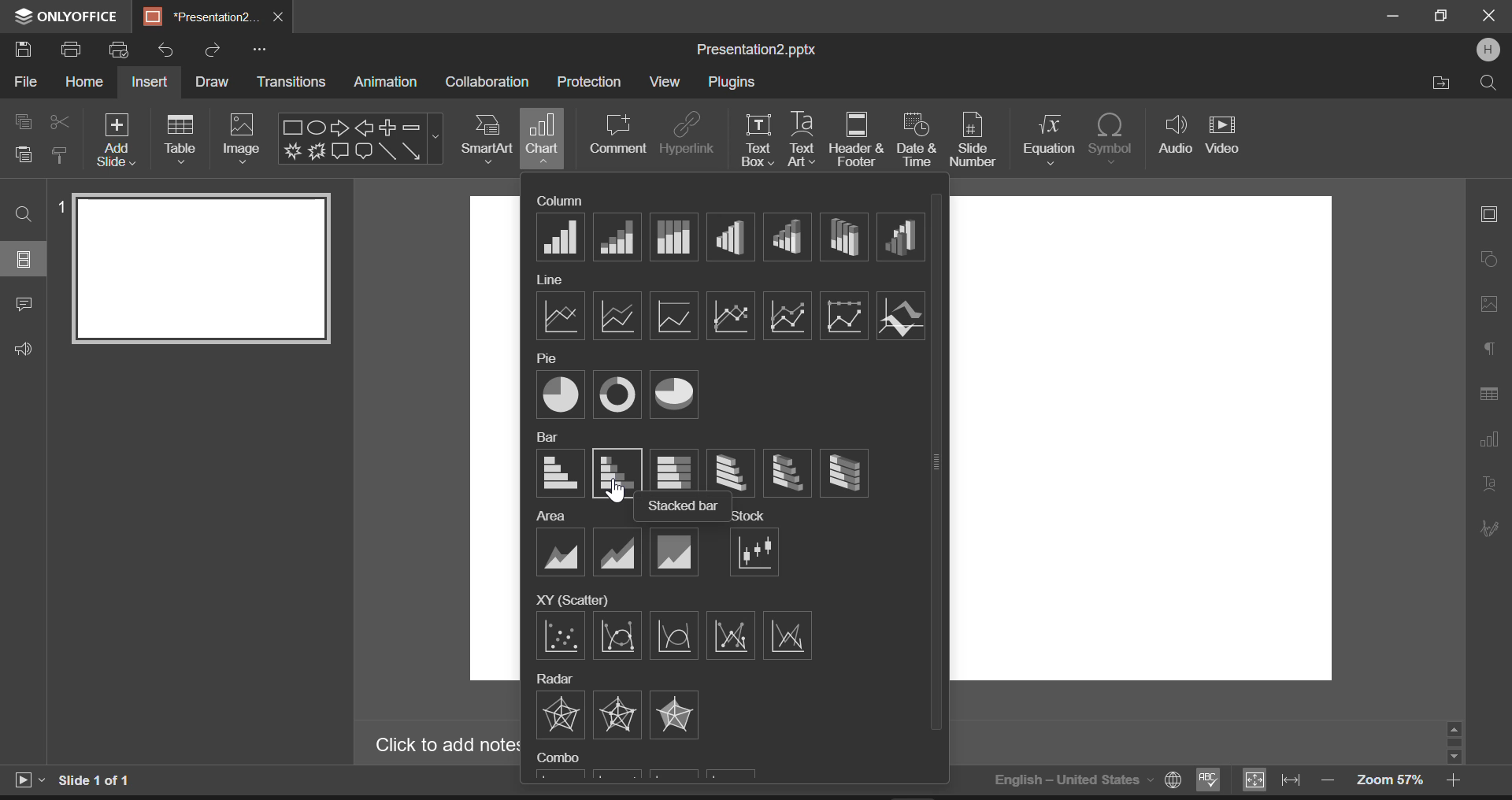  I want to click on Doughnut, so click(617, 394).